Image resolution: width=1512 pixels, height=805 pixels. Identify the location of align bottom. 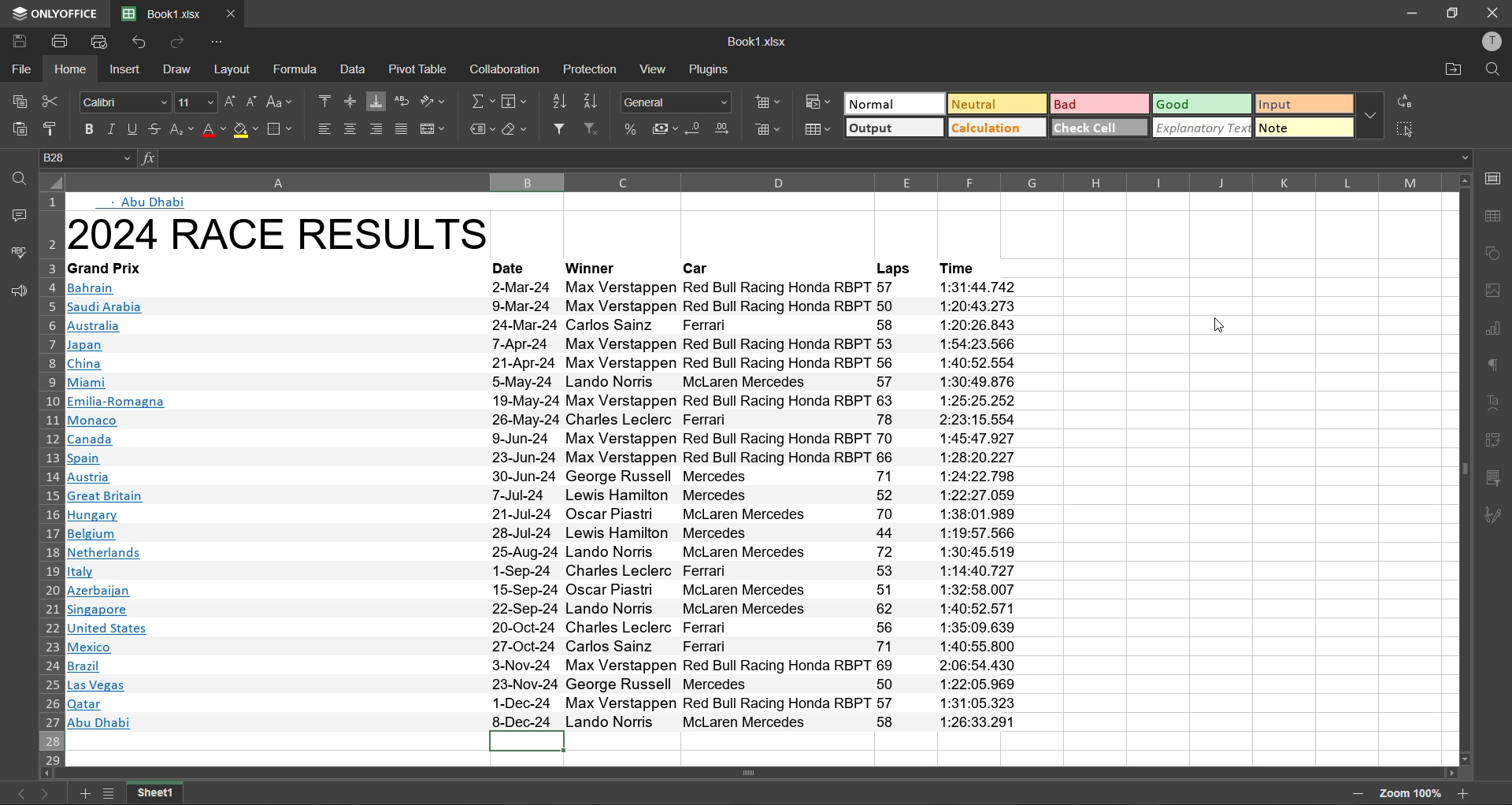
(377, 102).